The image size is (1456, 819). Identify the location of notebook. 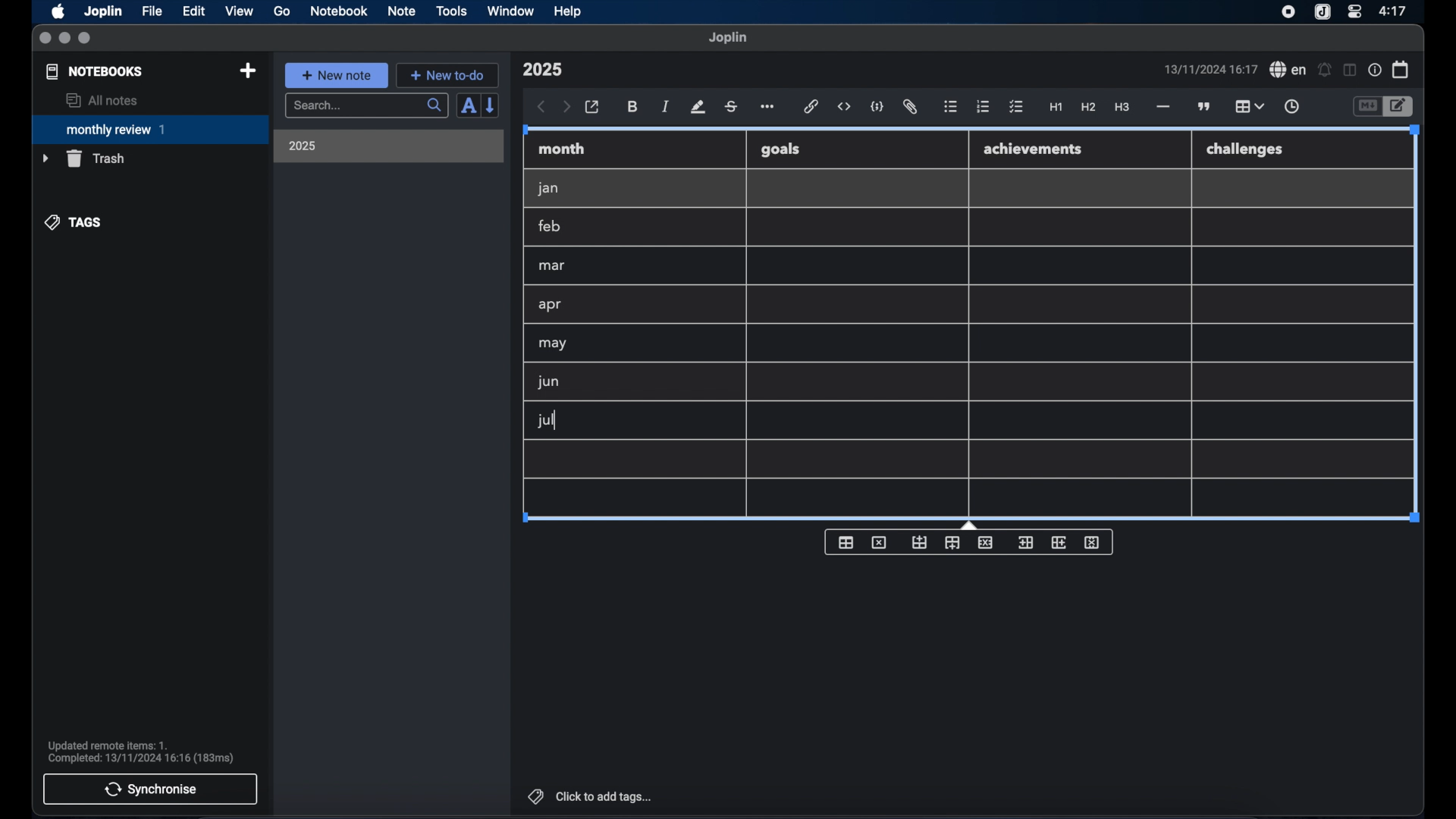
(339, 11).